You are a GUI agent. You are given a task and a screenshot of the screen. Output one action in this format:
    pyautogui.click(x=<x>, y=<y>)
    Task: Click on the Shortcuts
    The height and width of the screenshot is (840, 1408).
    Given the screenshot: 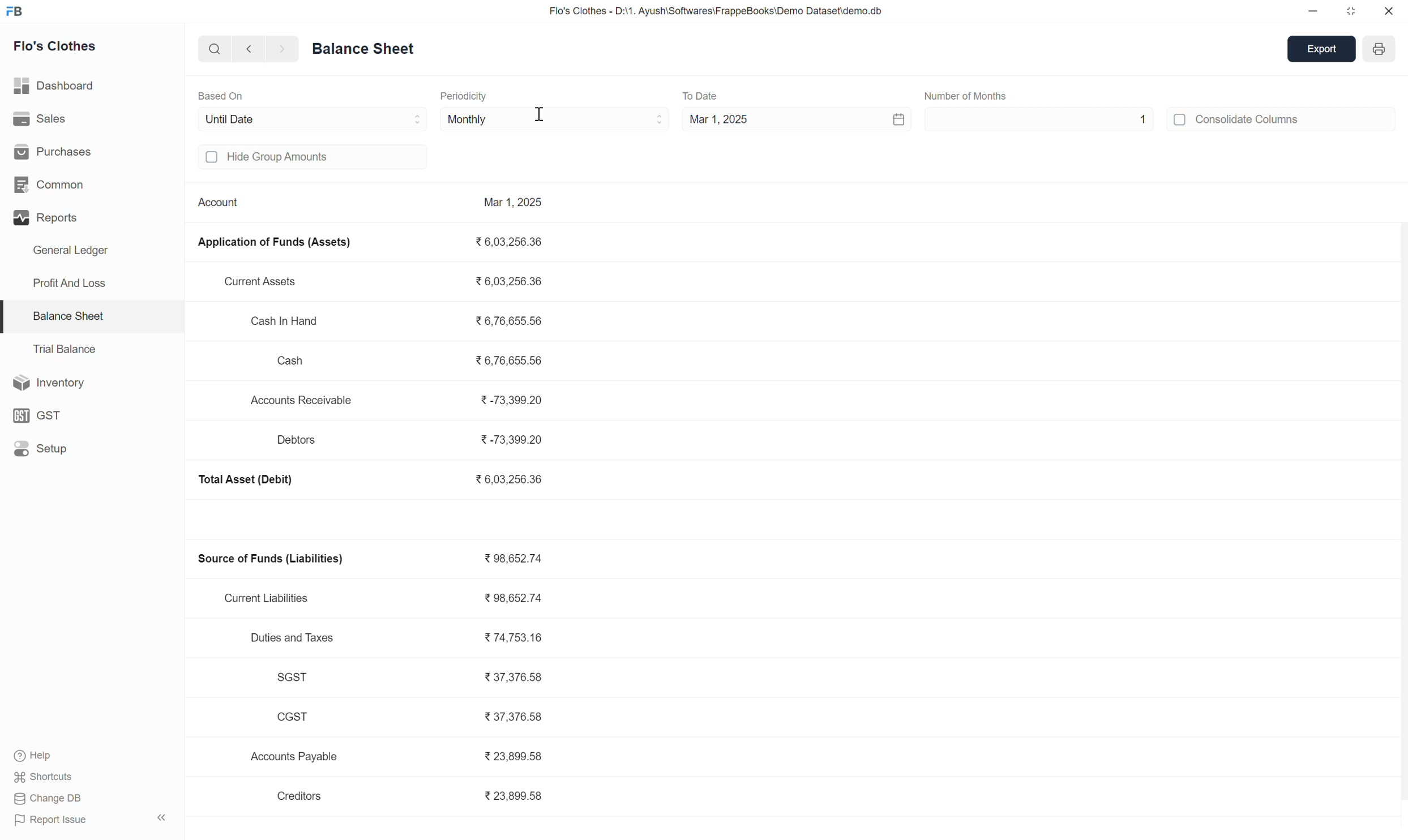 What is the action you would take?
    pyautogui.click(x=46, y=777)
    